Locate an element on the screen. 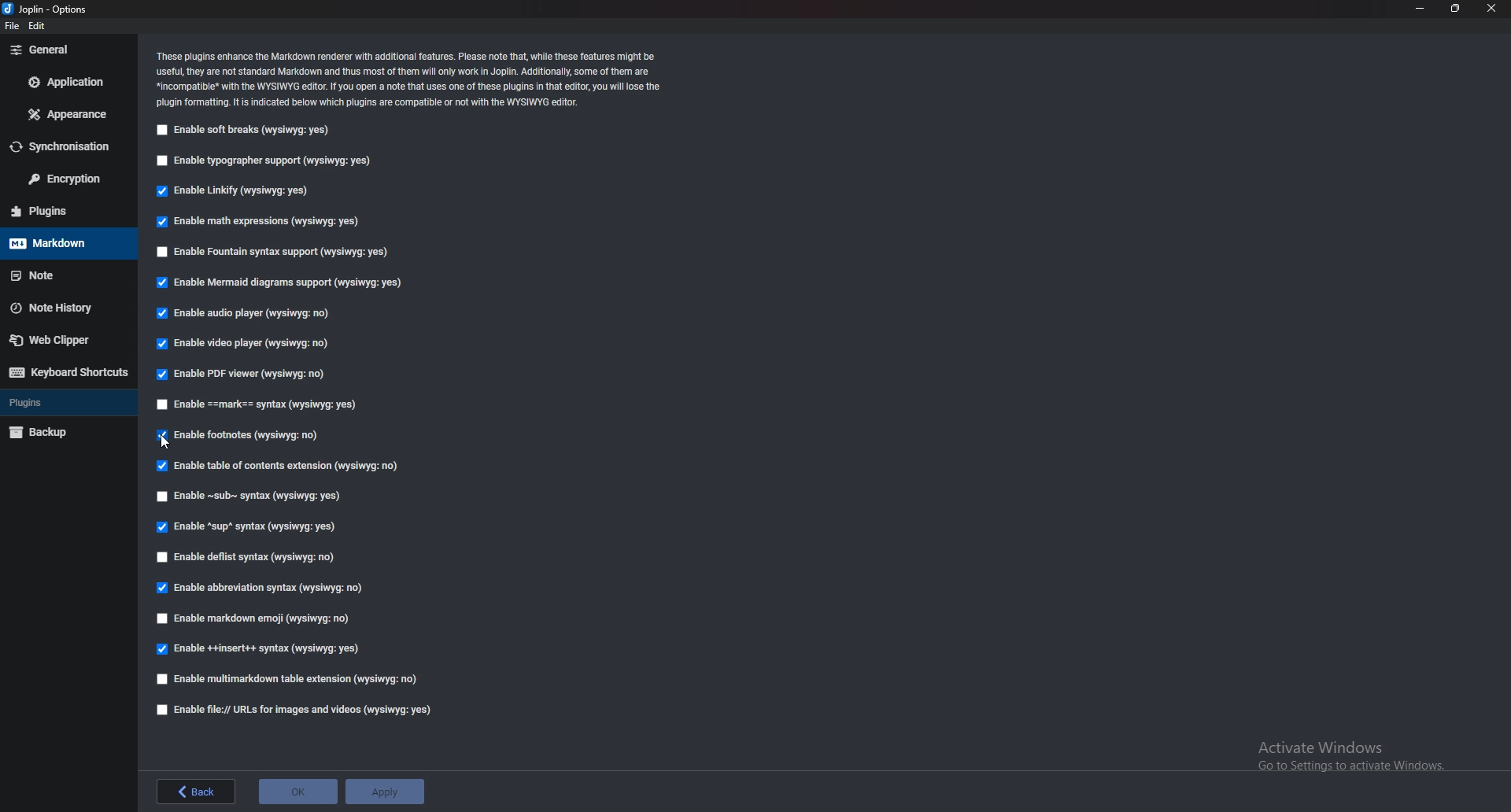 The height and width of the screenshot is (812, 1511). Enable multi markdown table is located at coordinates (292, 679).